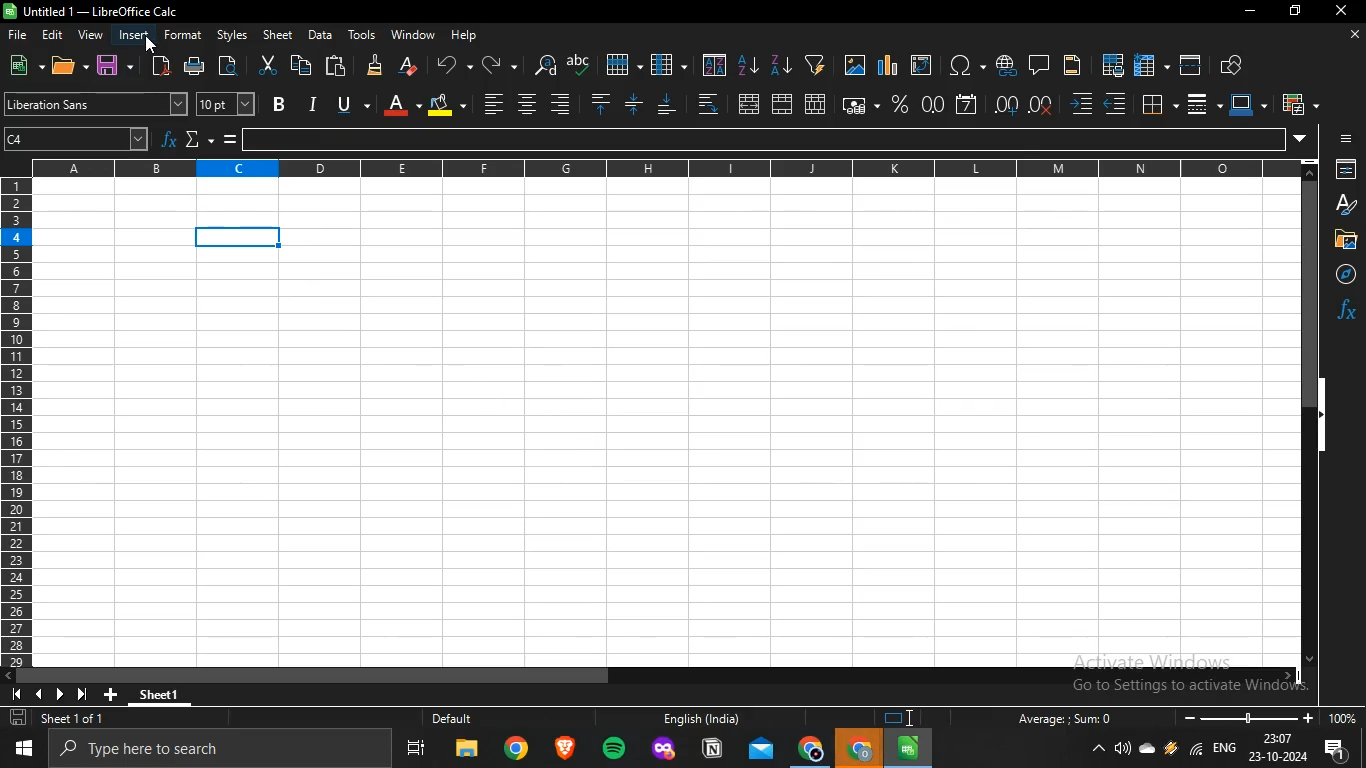  I want to click on insert charts, so click(888, 65).